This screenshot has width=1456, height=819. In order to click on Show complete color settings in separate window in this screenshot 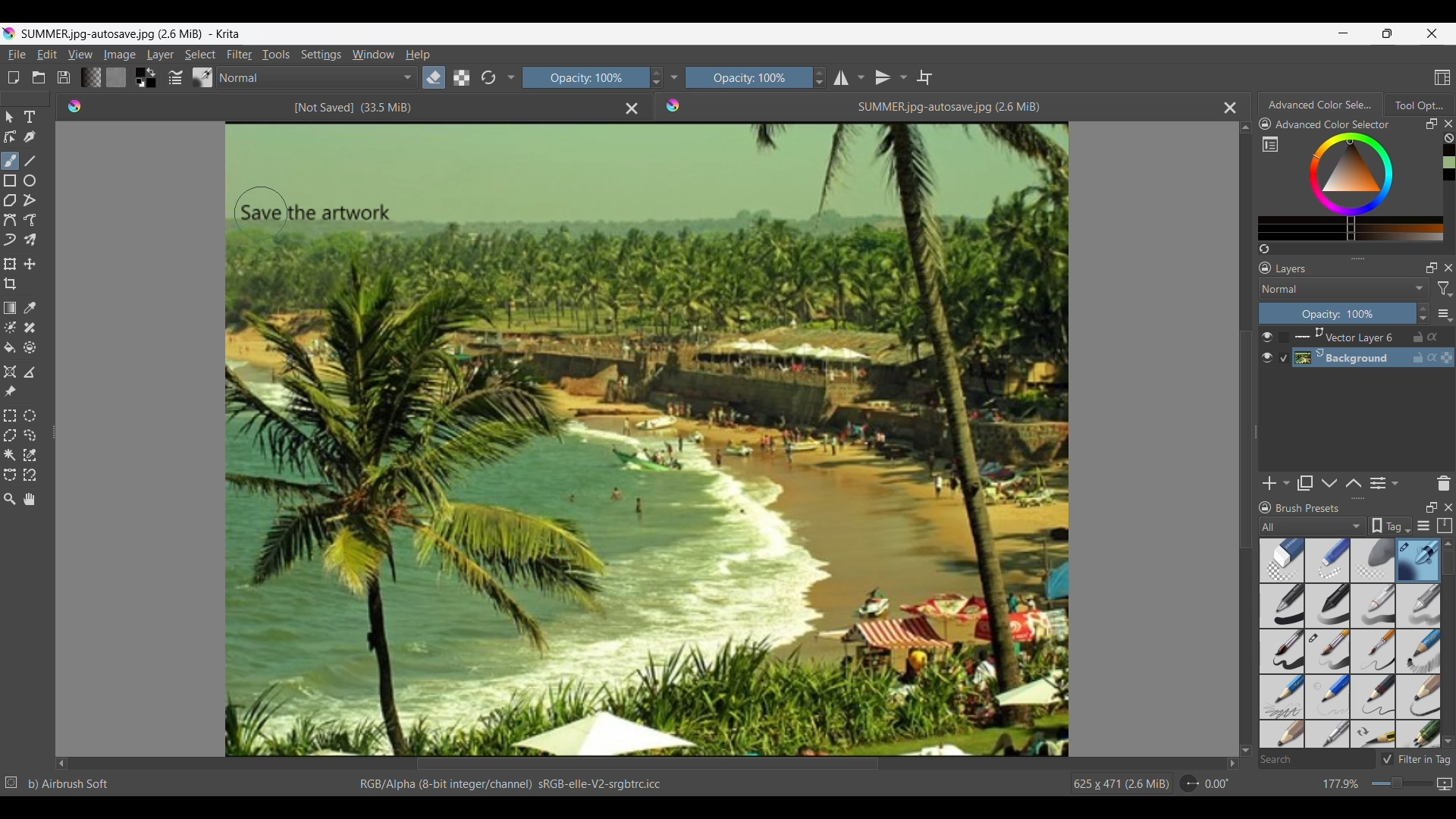, I will do `click(1270, 143)`.